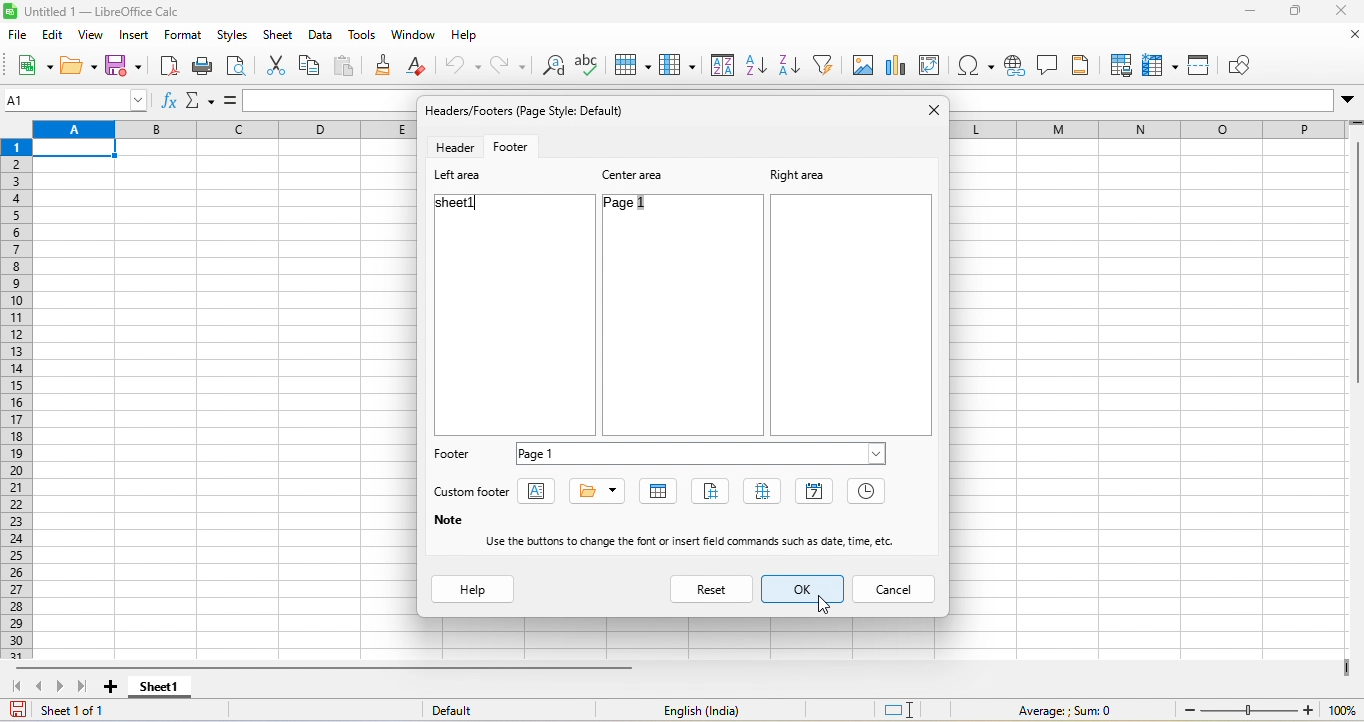 The image size is (1364, 722). Describe the element at coordinates (826, 603) in the screenshot. I see `cursor` at that location.